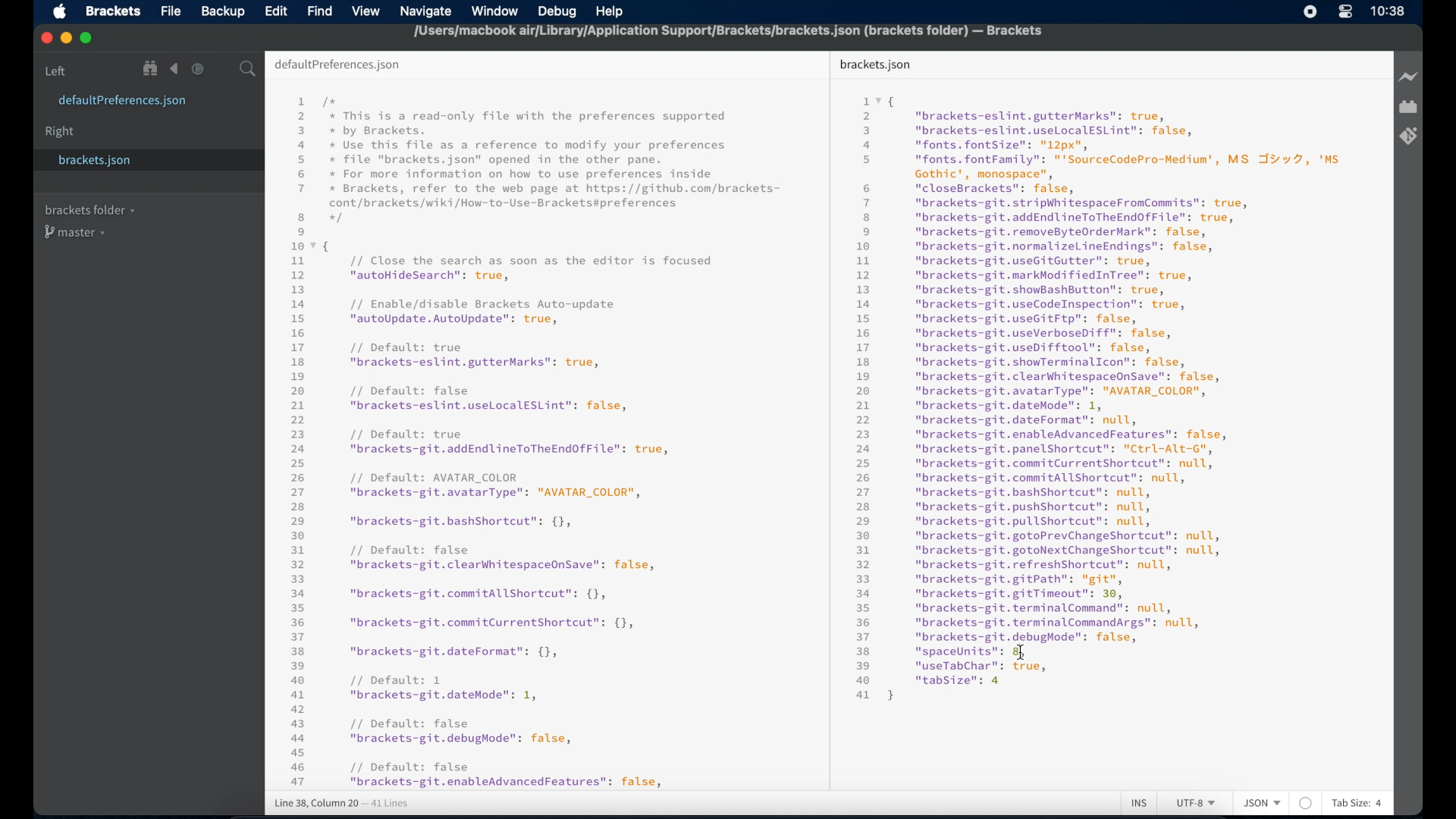  I want to click on ins, so click(1138, 802).